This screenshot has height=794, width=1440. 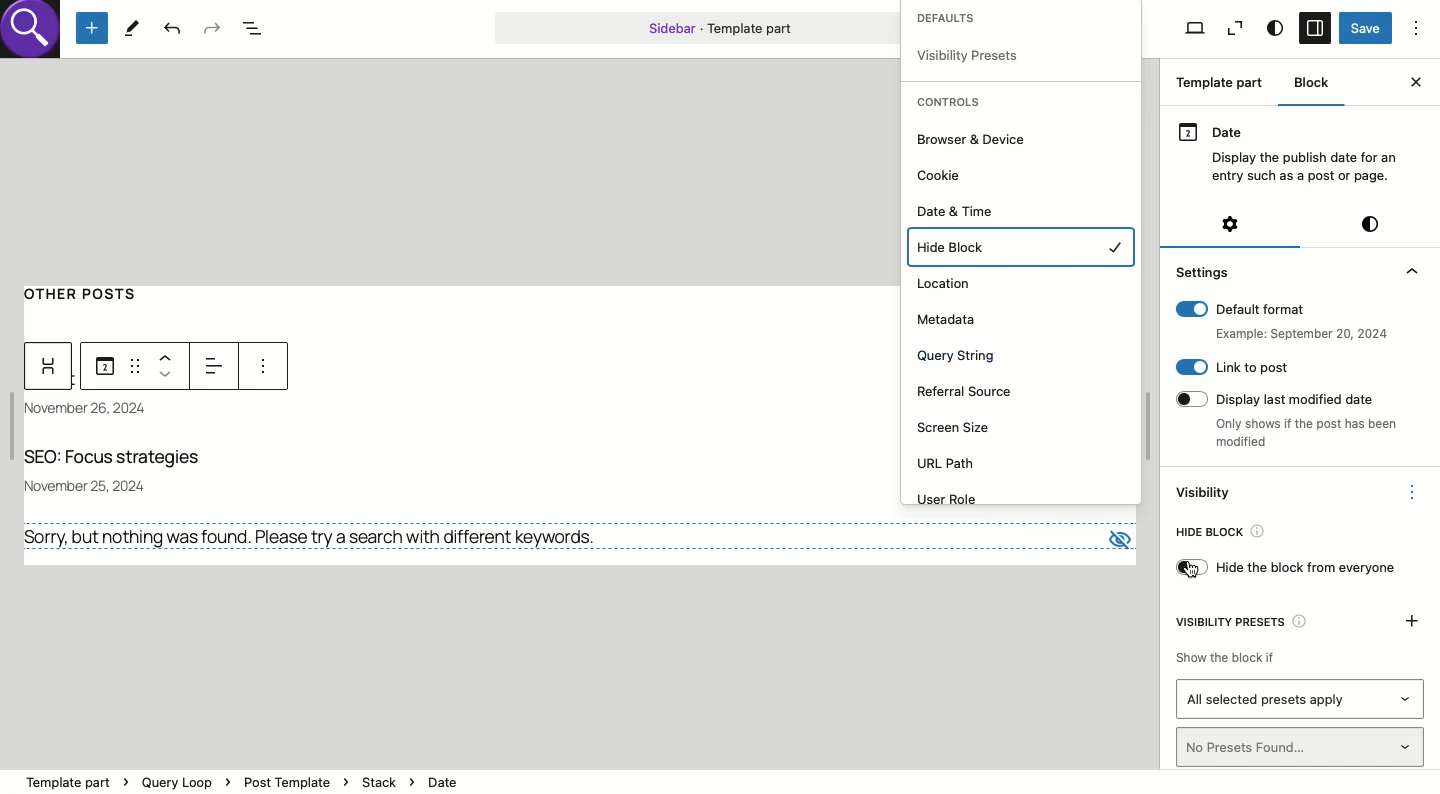 I want to click on Cookie, so click(x=936, y=176).